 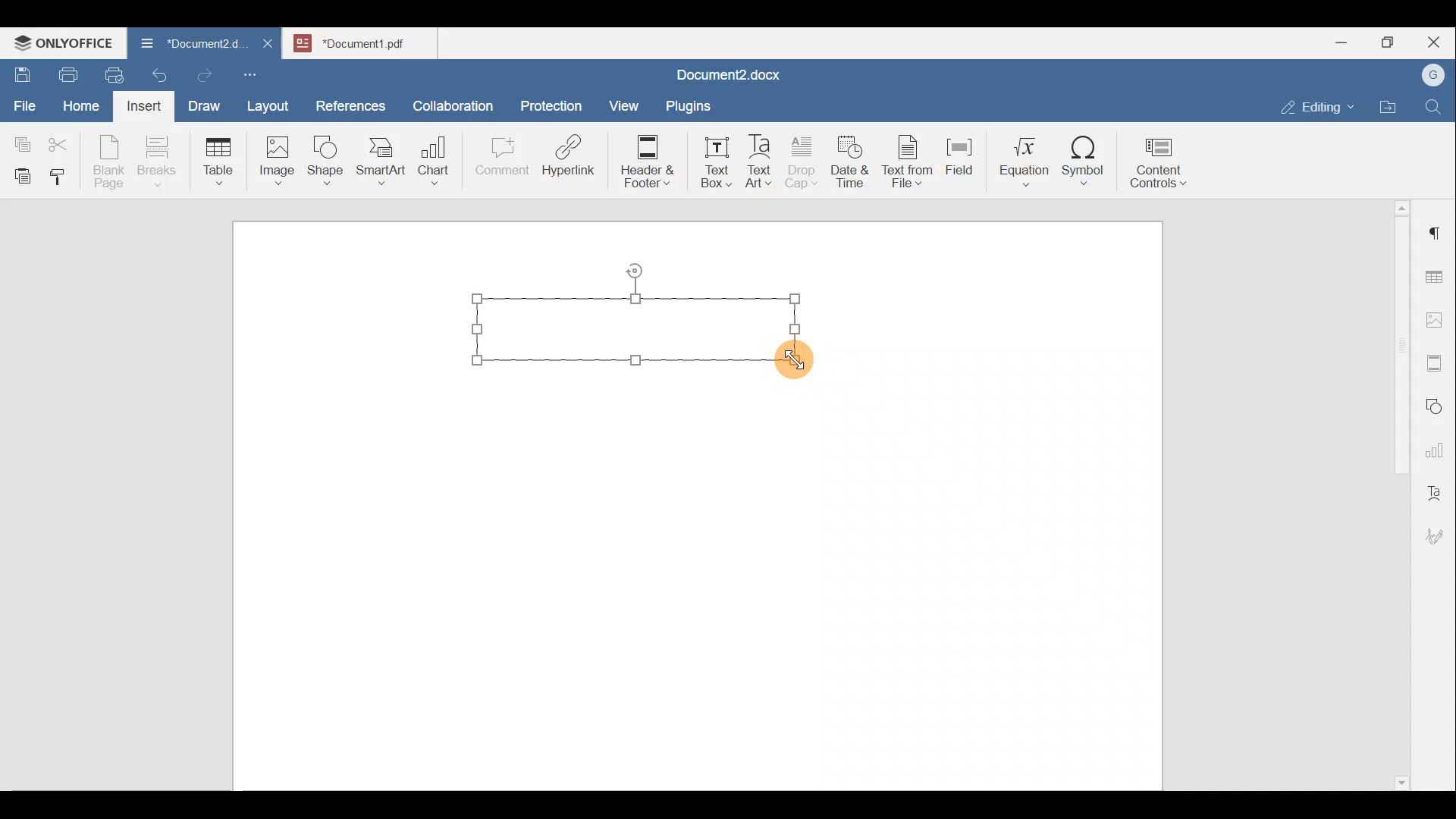 What do you see at coordinates (185, 45) in the screenshot?
I see `Document name` at bounding box center [185, 45].